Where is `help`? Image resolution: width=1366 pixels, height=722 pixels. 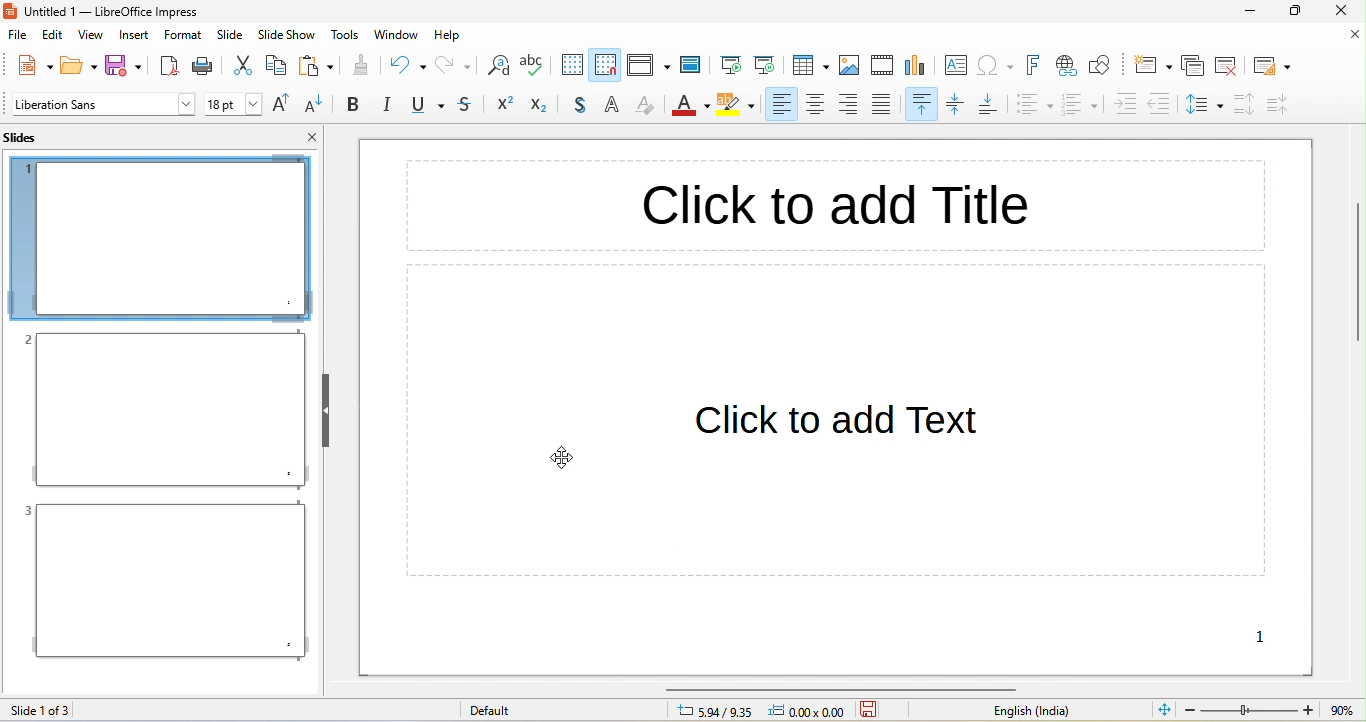 help is located at coordinates (448, 36).